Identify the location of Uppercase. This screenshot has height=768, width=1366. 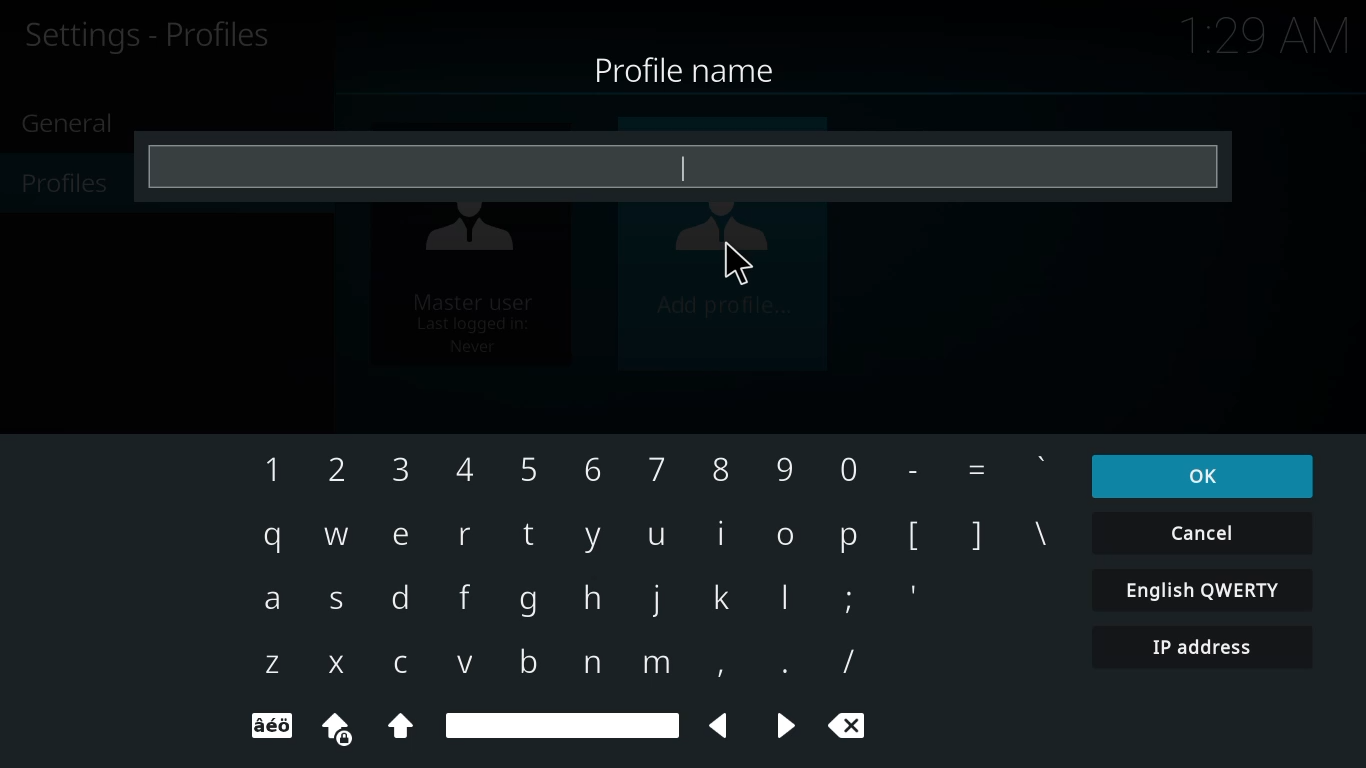
(402, 733).